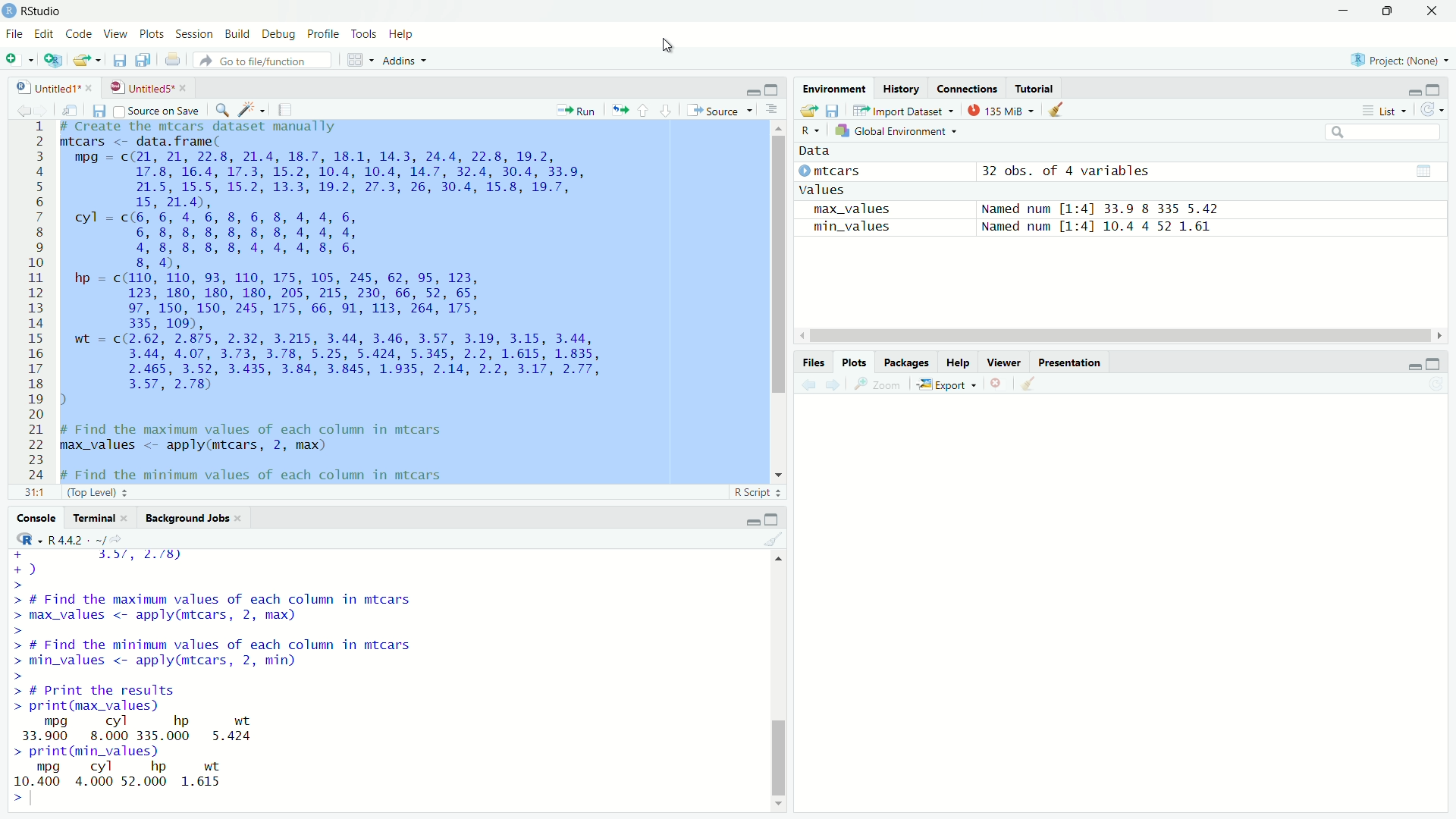  What do you see at coordinates (772, 517) in the screenshot?
I see `maximise` at bounding box center [772, 517].